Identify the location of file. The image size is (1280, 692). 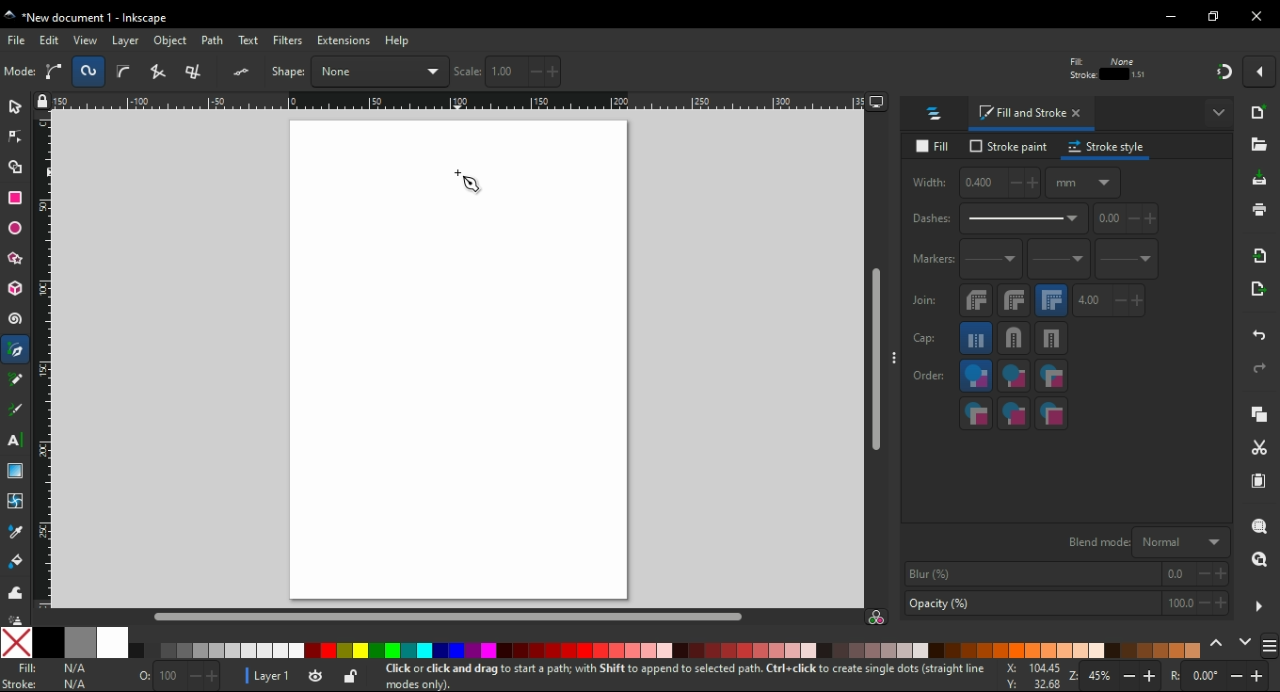
(18, 40).